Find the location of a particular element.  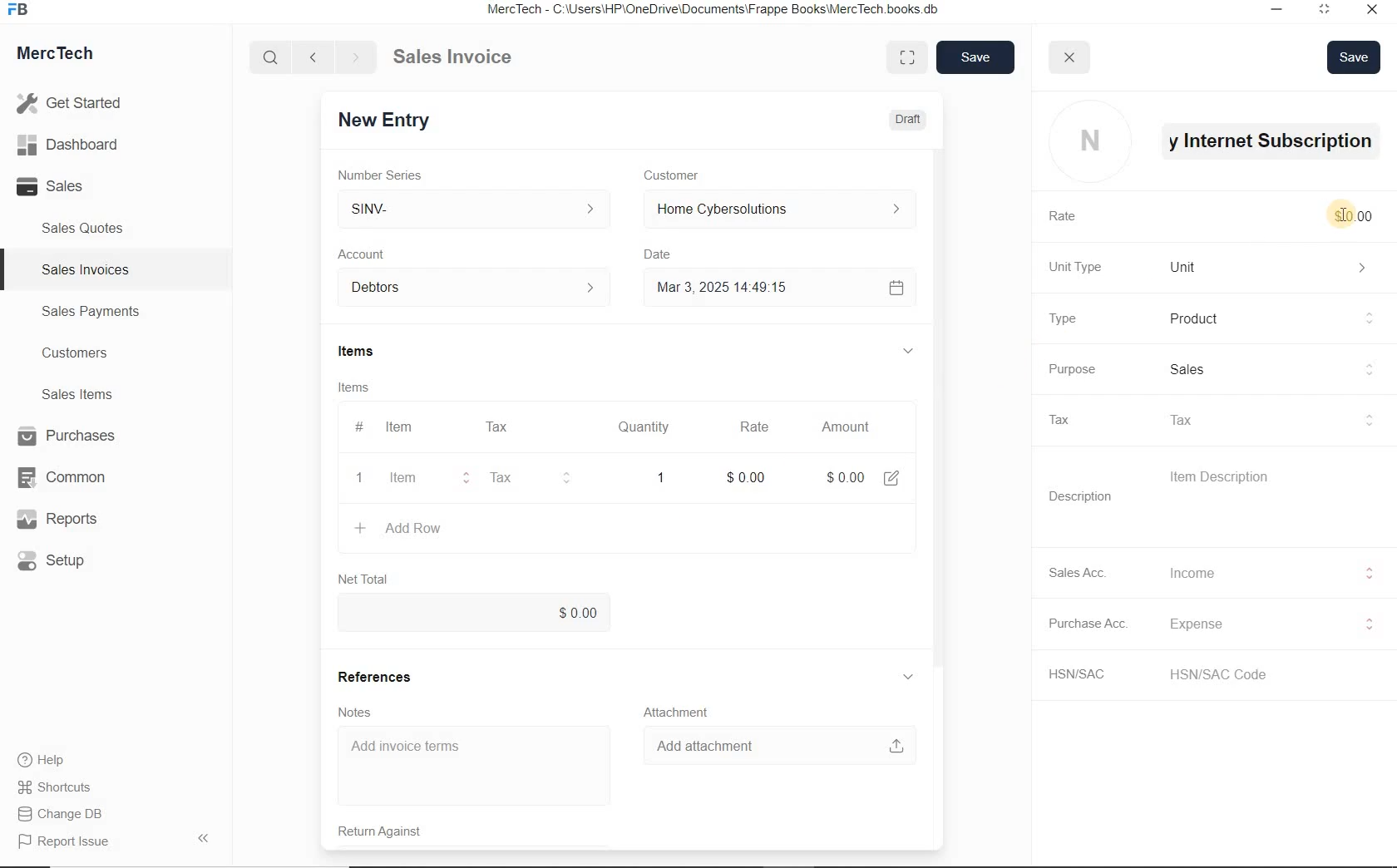

Attachment is located at coordinates (674, 710).